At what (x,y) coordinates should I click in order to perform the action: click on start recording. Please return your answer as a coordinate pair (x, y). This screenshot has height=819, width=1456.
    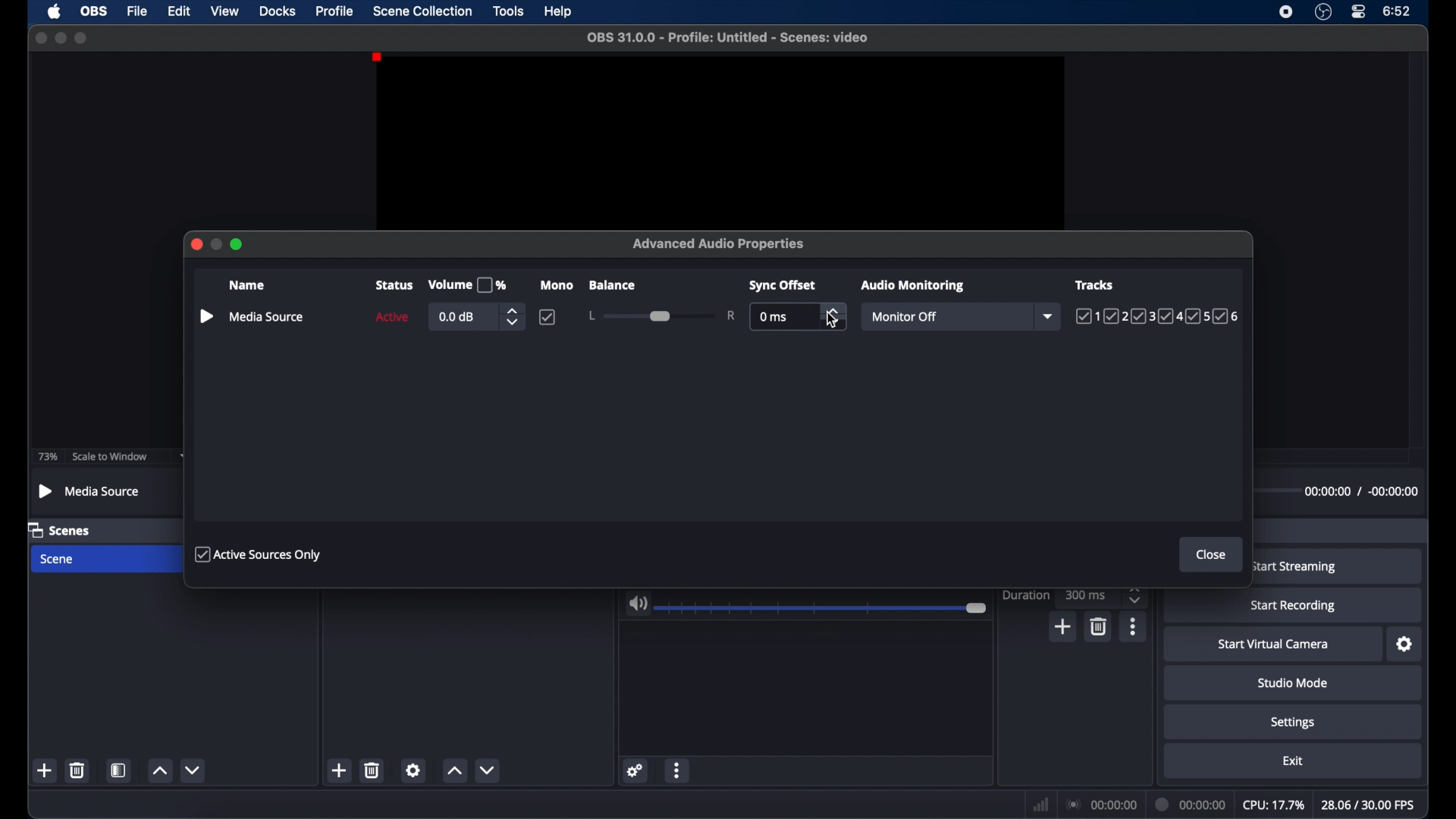
    Looking at the image, I should click on (1294, 606).